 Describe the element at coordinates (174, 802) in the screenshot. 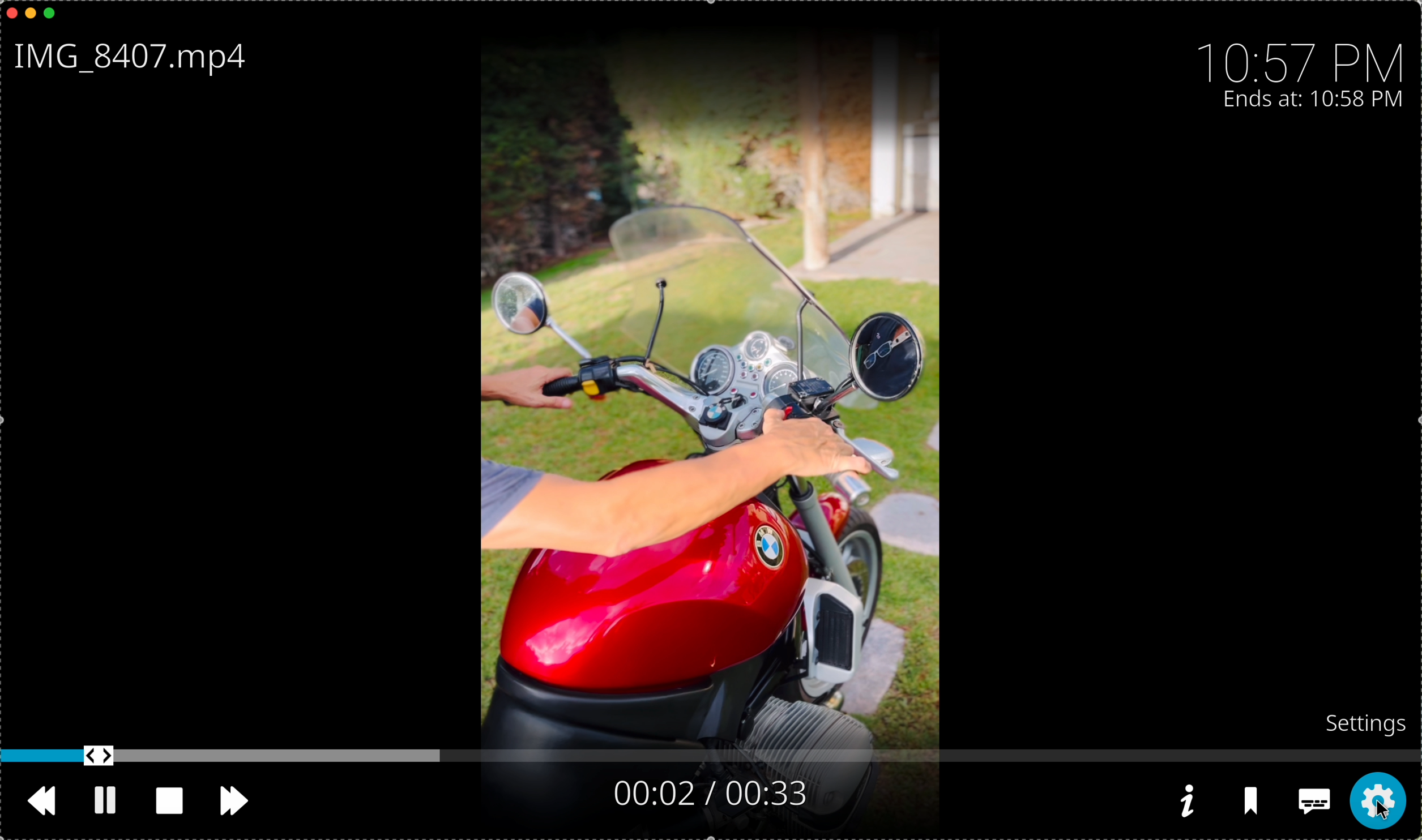

I see `stop` at that location.